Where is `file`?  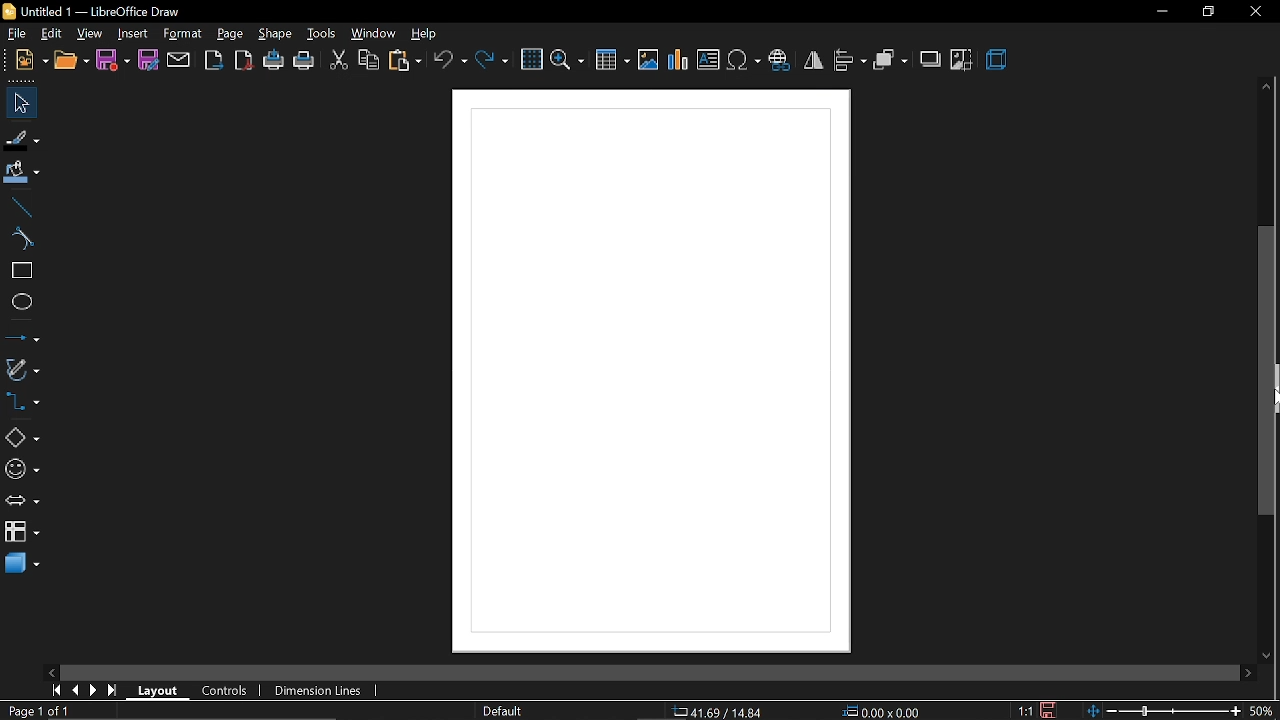
file is located at coordinates (16, 33).